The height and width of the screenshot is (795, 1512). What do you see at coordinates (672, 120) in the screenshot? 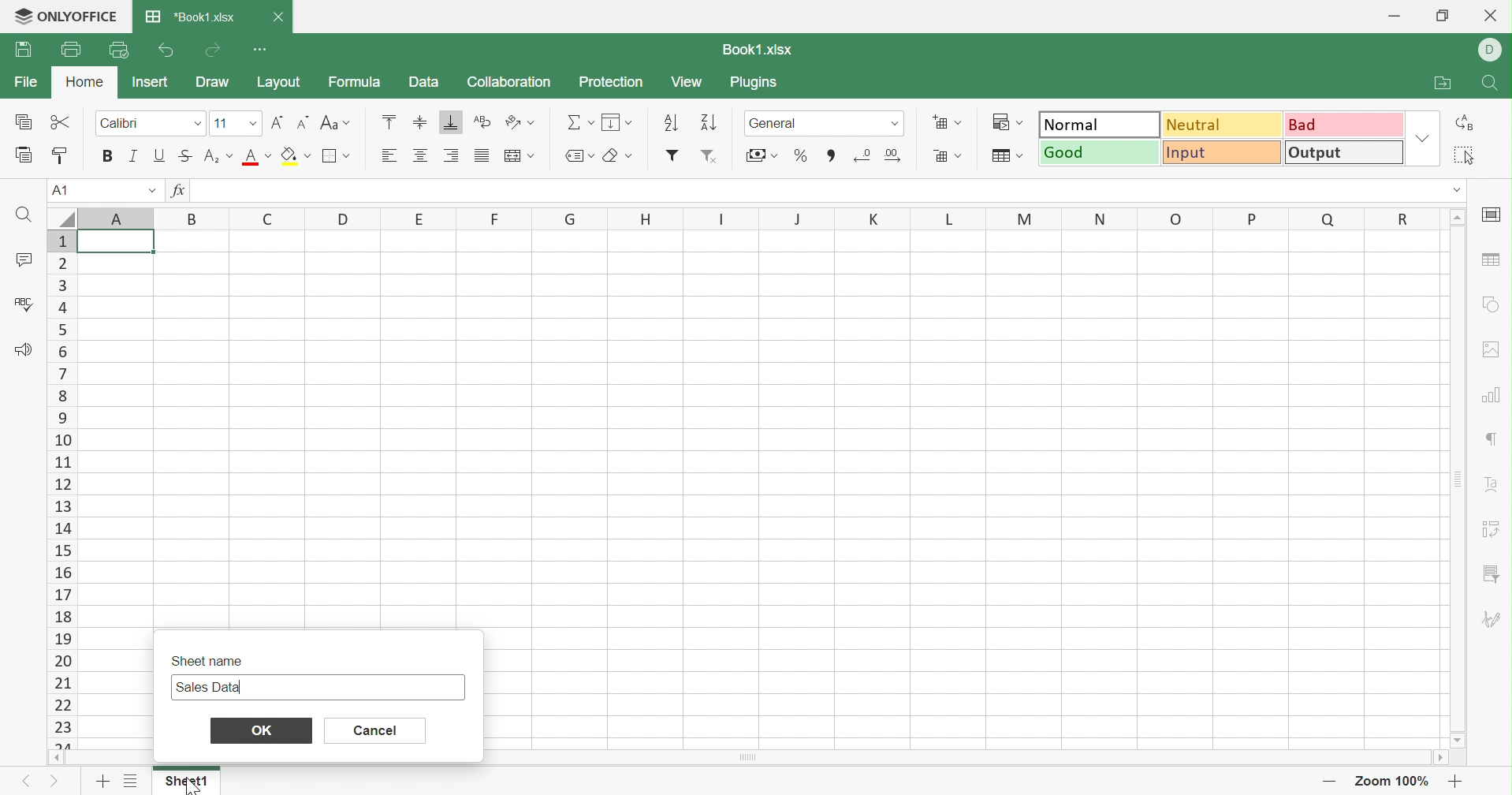
I see `Ascending order` at bounding box center [672, 120].